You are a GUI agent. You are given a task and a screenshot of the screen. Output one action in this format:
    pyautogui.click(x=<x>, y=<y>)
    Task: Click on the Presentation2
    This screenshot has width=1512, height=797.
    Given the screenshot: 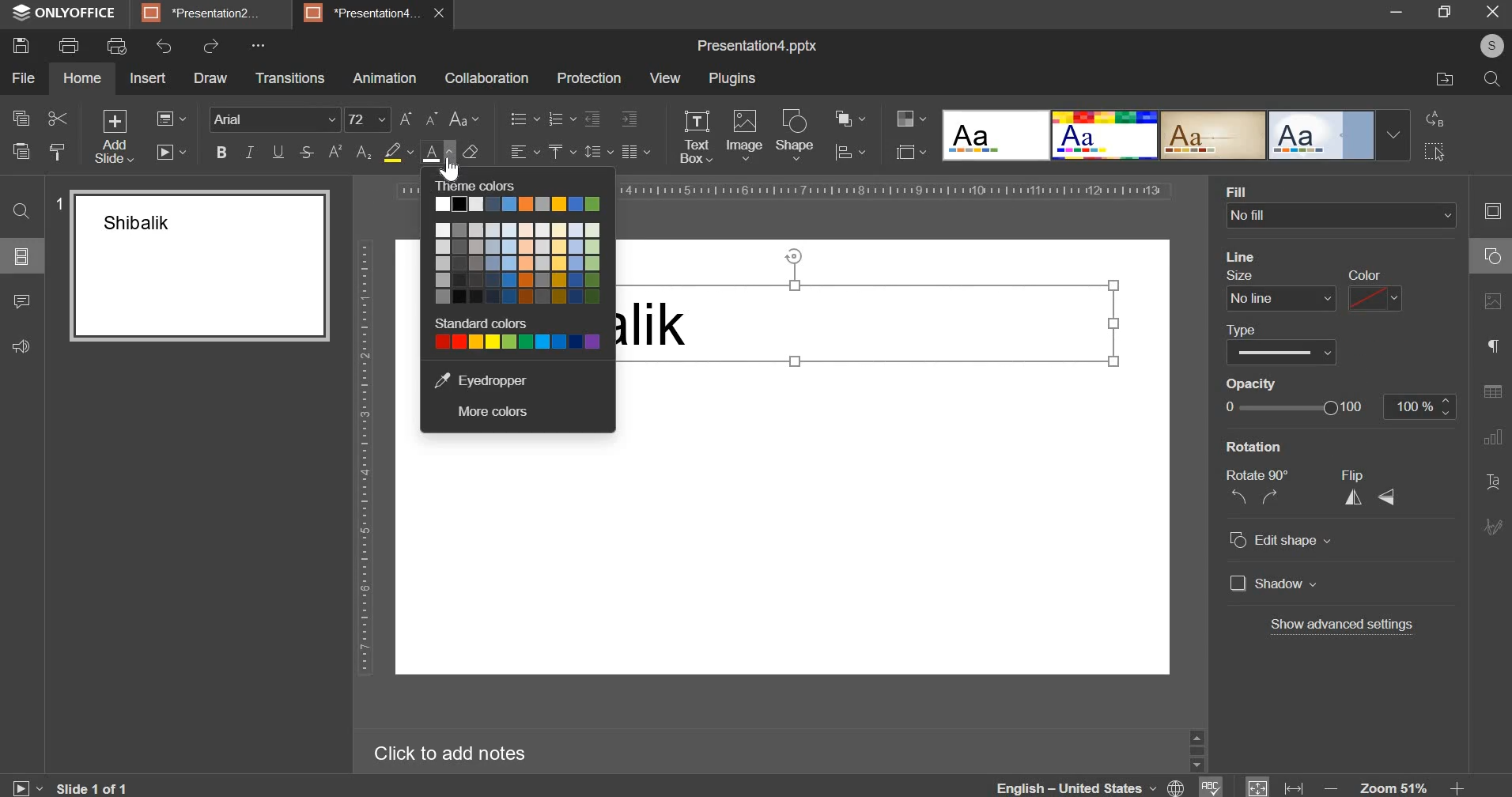 What is the action you would take?
    pyautogui.click(x=210, y=15)
    